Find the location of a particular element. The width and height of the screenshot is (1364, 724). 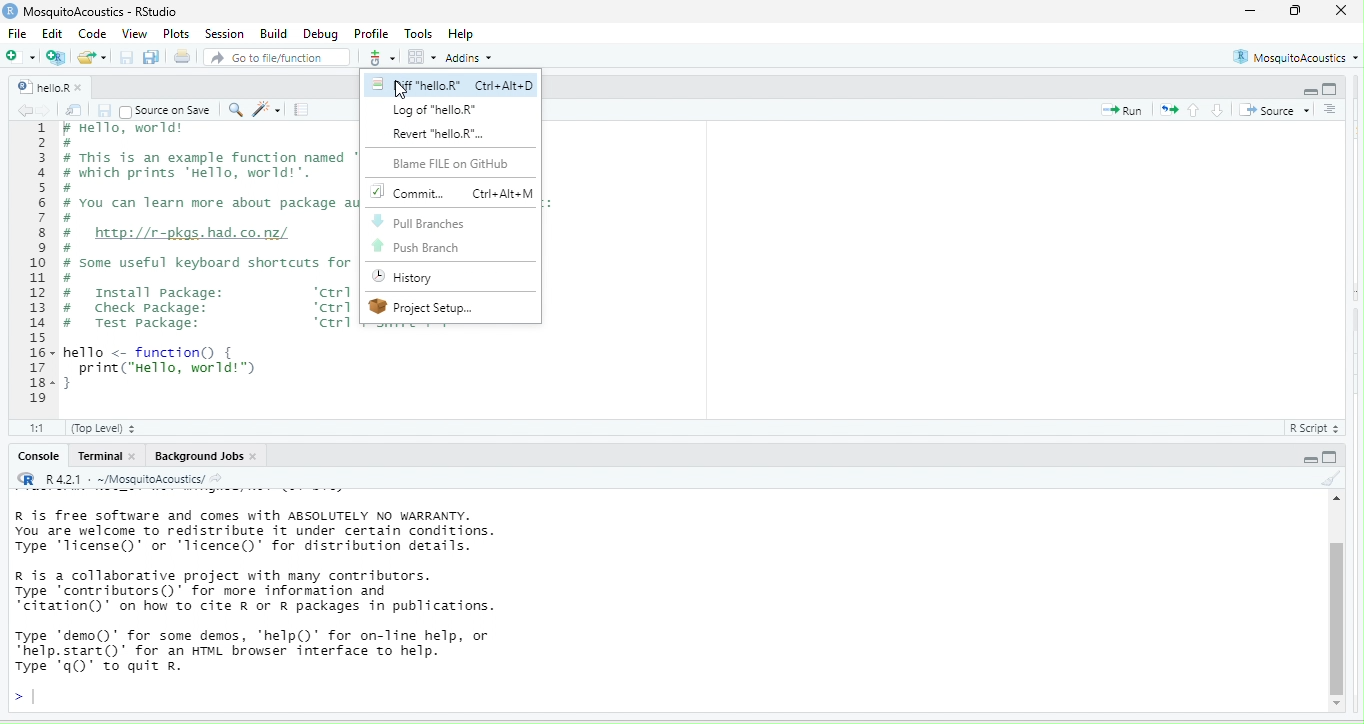

hide r script is located at coordinates (1311, 459).